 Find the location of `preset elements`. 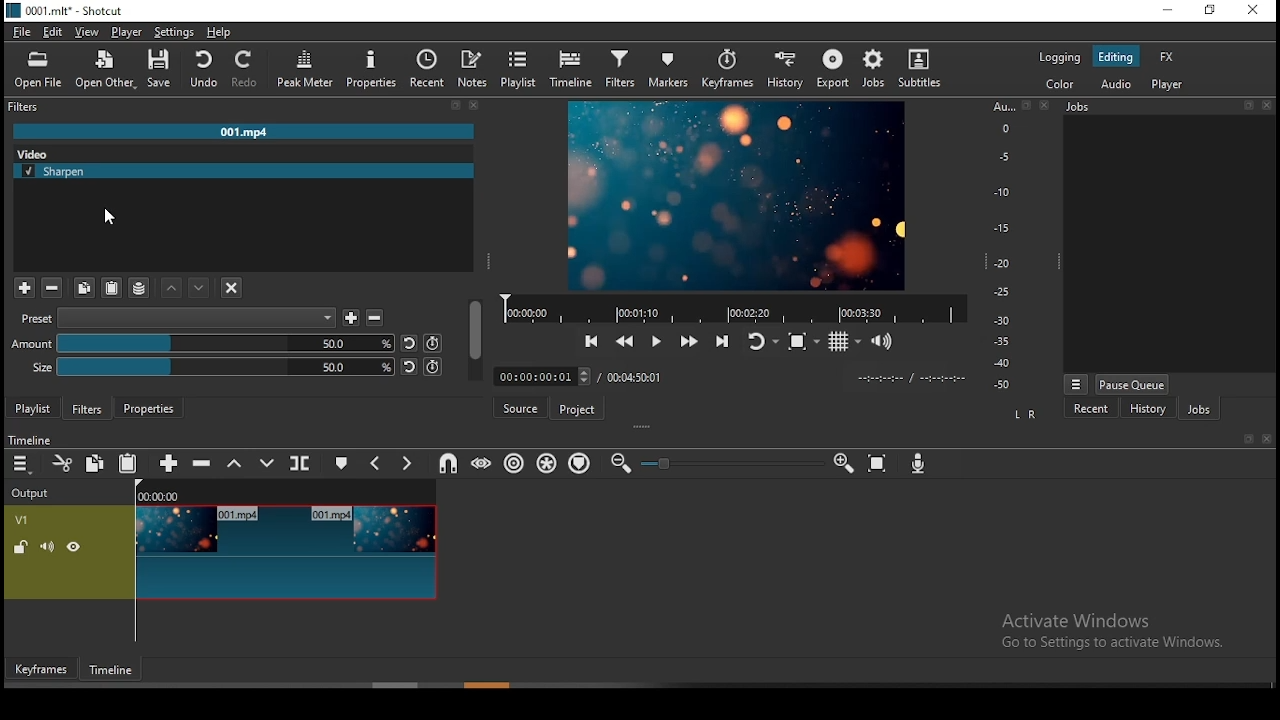

preset elements is located at coordinates (199, 319).